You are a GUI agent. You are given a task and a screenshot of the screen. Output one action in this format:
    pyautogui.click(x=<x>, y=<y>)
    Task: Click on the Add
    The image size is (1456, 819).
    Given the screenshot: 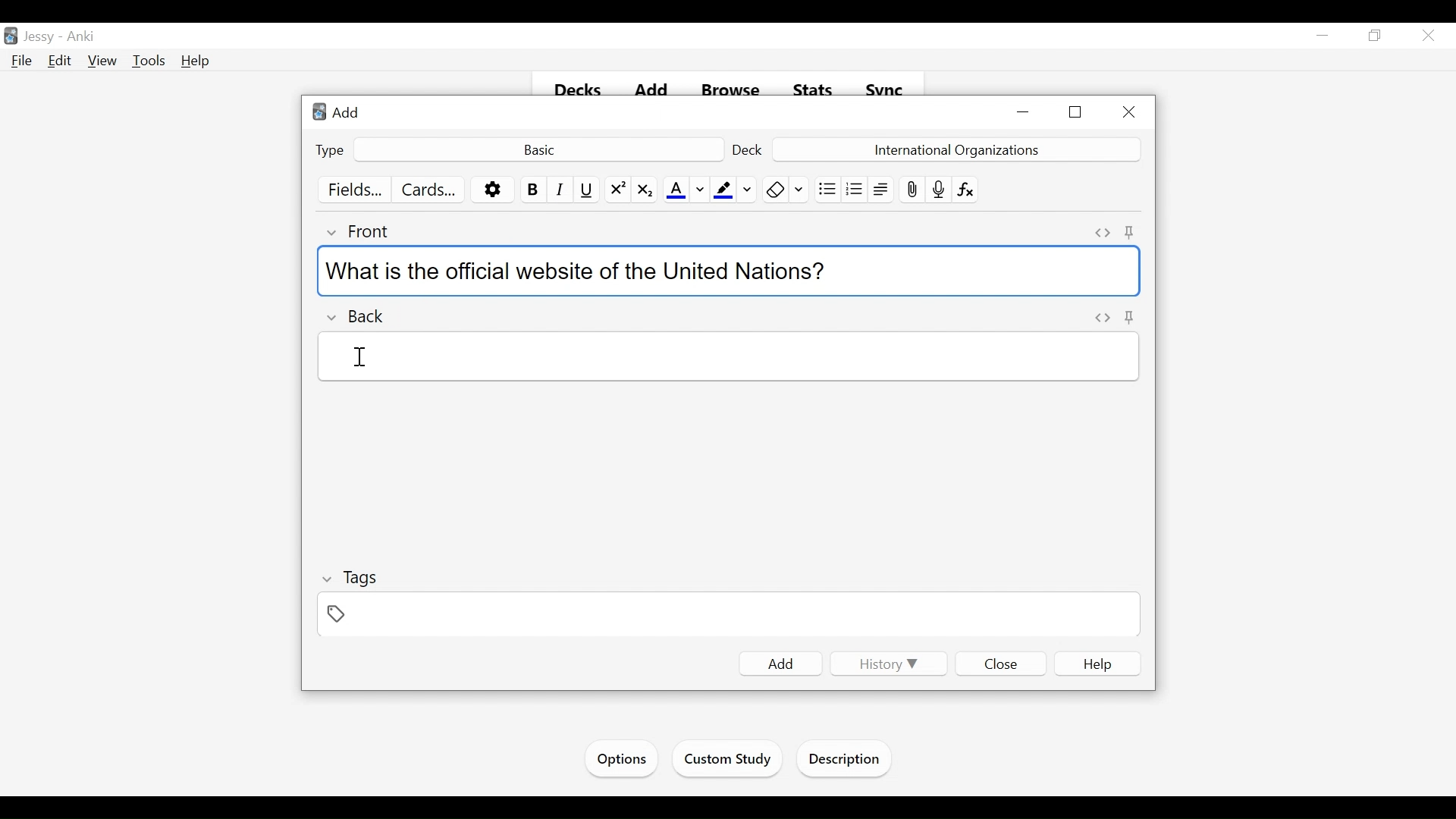 What is the action you would take?
    pyautogui.click(x=347, y=113)
    